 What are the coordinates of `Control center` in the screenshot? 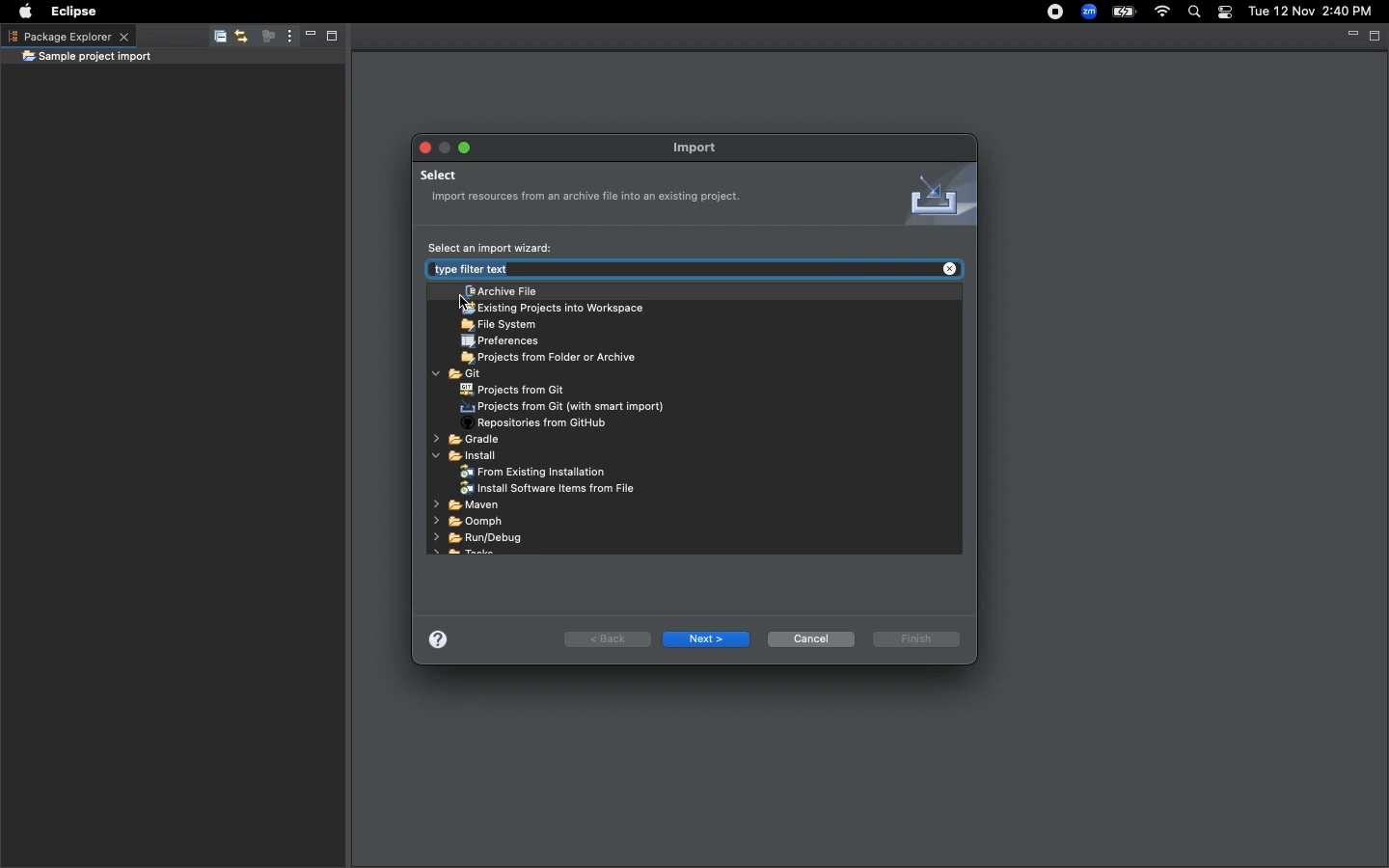 It's located at (1223, 13).